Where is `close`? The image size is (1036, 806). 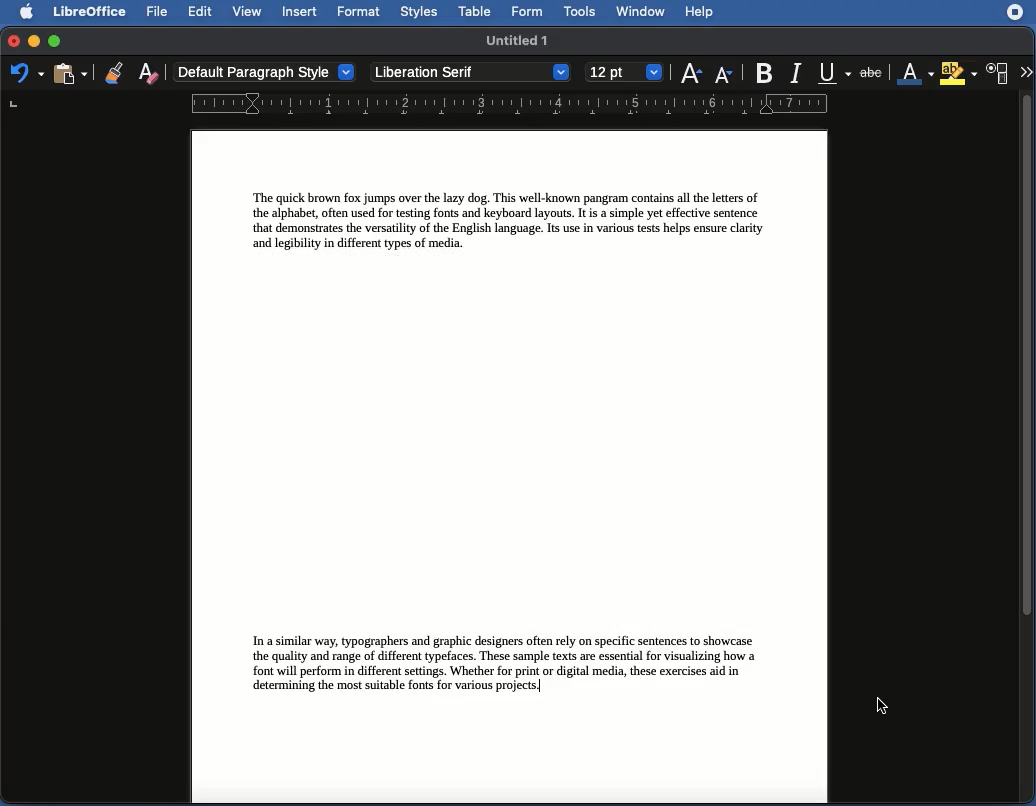
close is located at coordinates (12, 43).